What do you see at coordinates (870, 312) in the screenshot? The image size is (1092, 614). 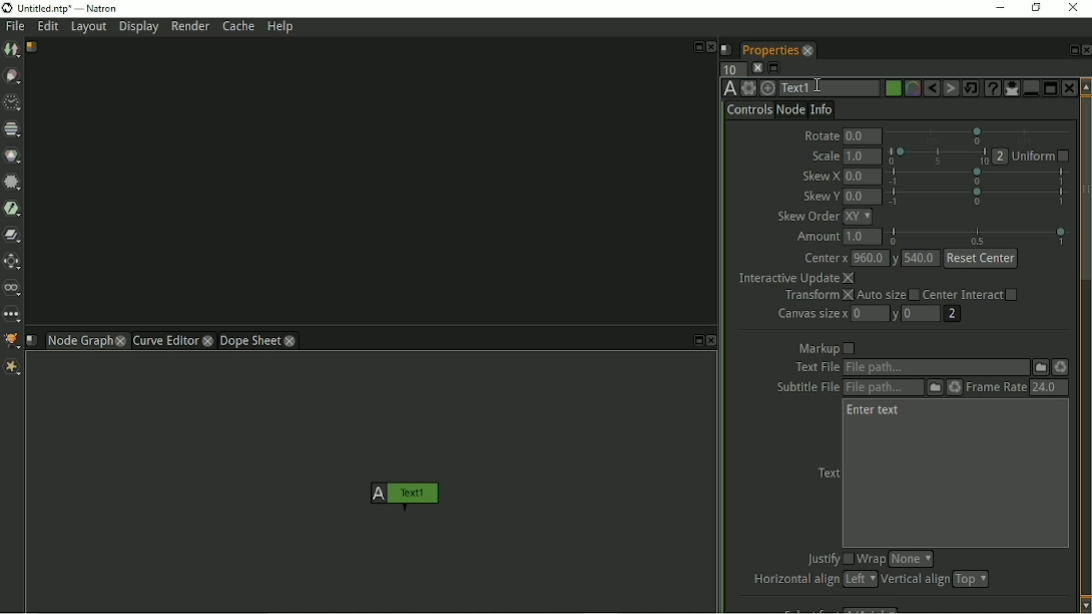 I see `0` at bounding box center [870, 312].